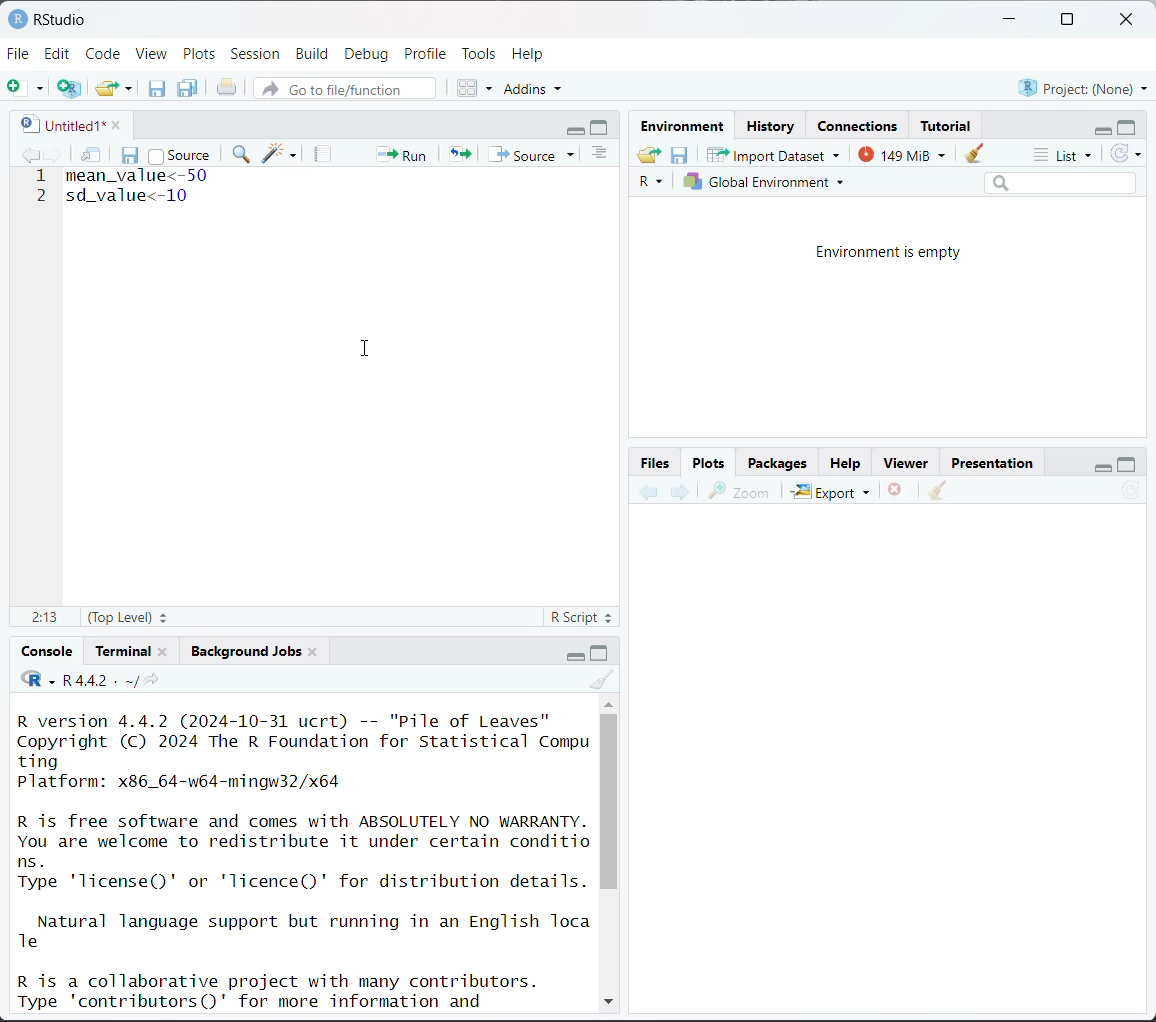  Describe the element at coordinates (228, 88) in the screenshot. I see `print the current file` at that location.